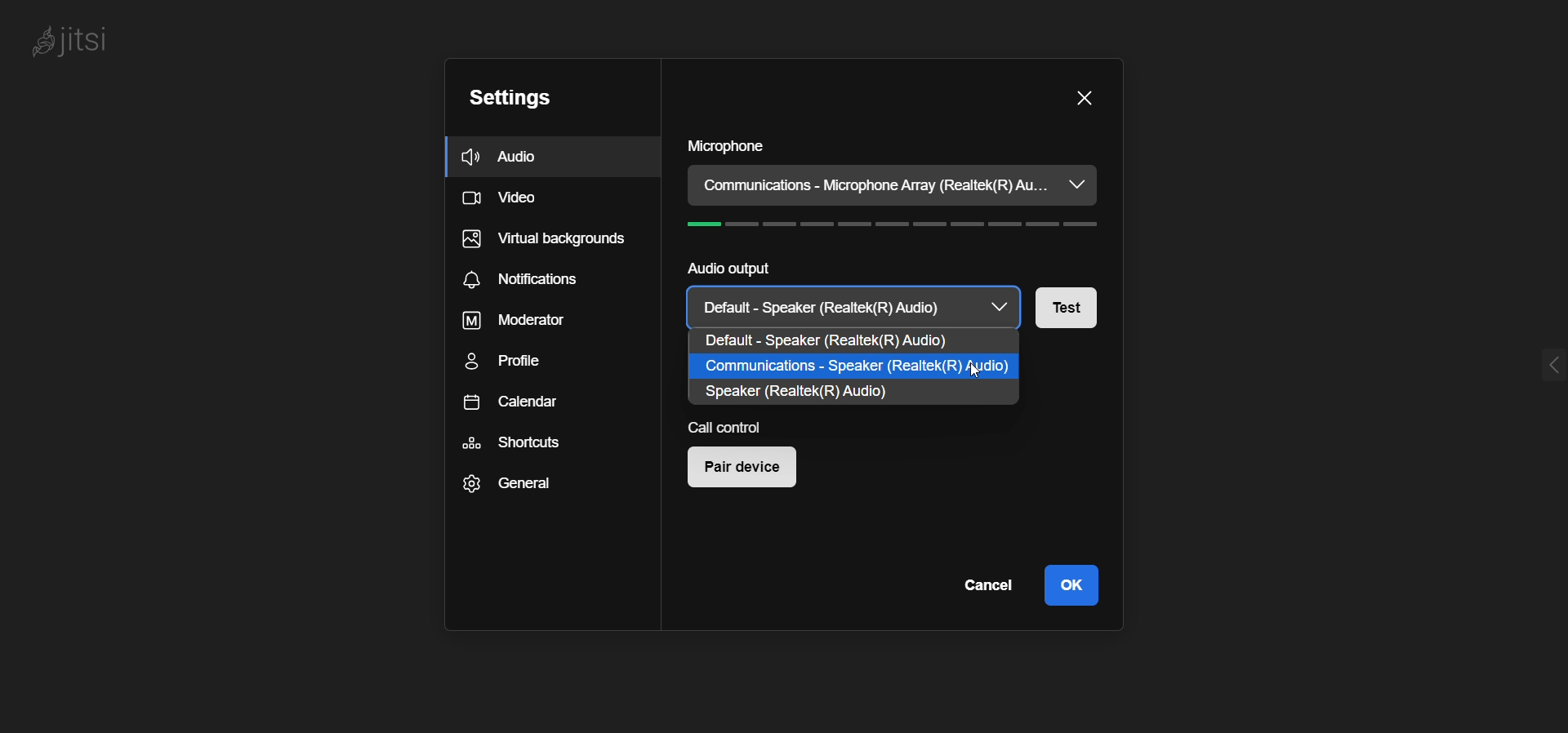  Describe the element at coordinates (503, 486) in the screenshot. I see `general` at that location.